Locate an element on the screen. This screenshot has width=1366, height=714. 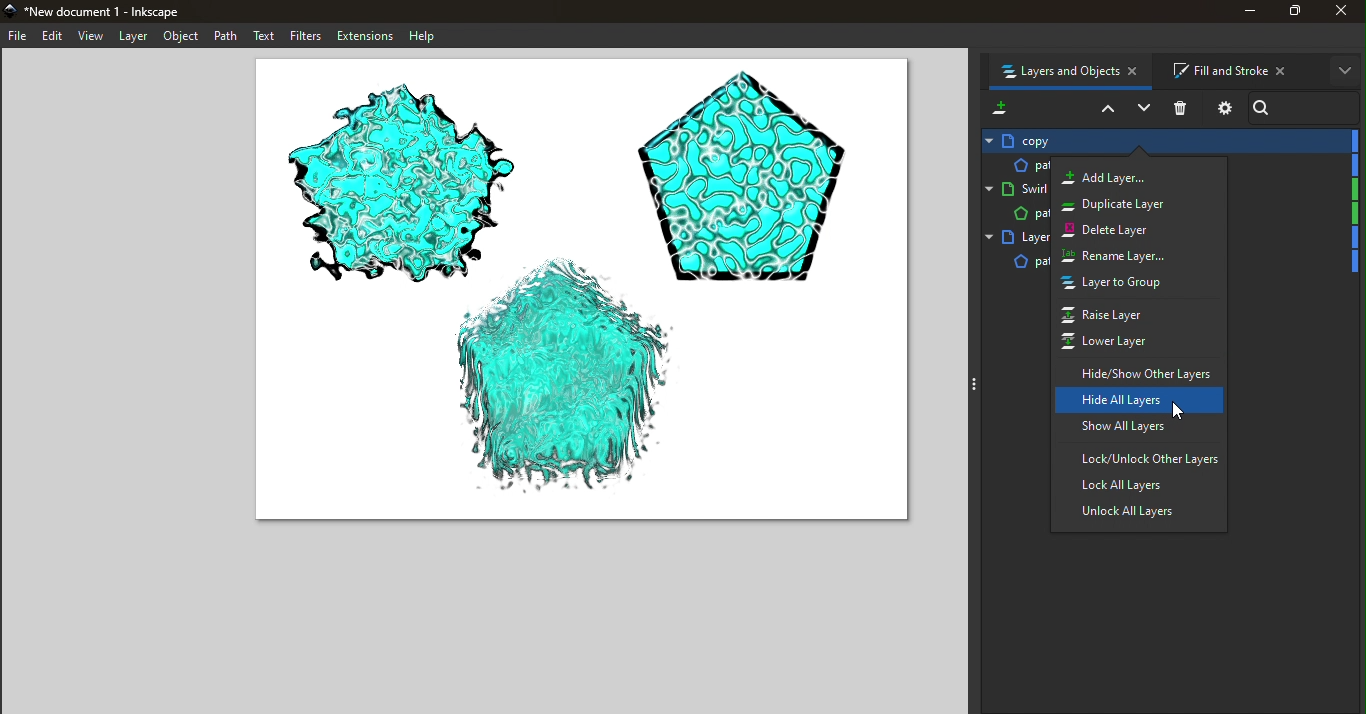
Search bar is located at coordinates (1305, 106).